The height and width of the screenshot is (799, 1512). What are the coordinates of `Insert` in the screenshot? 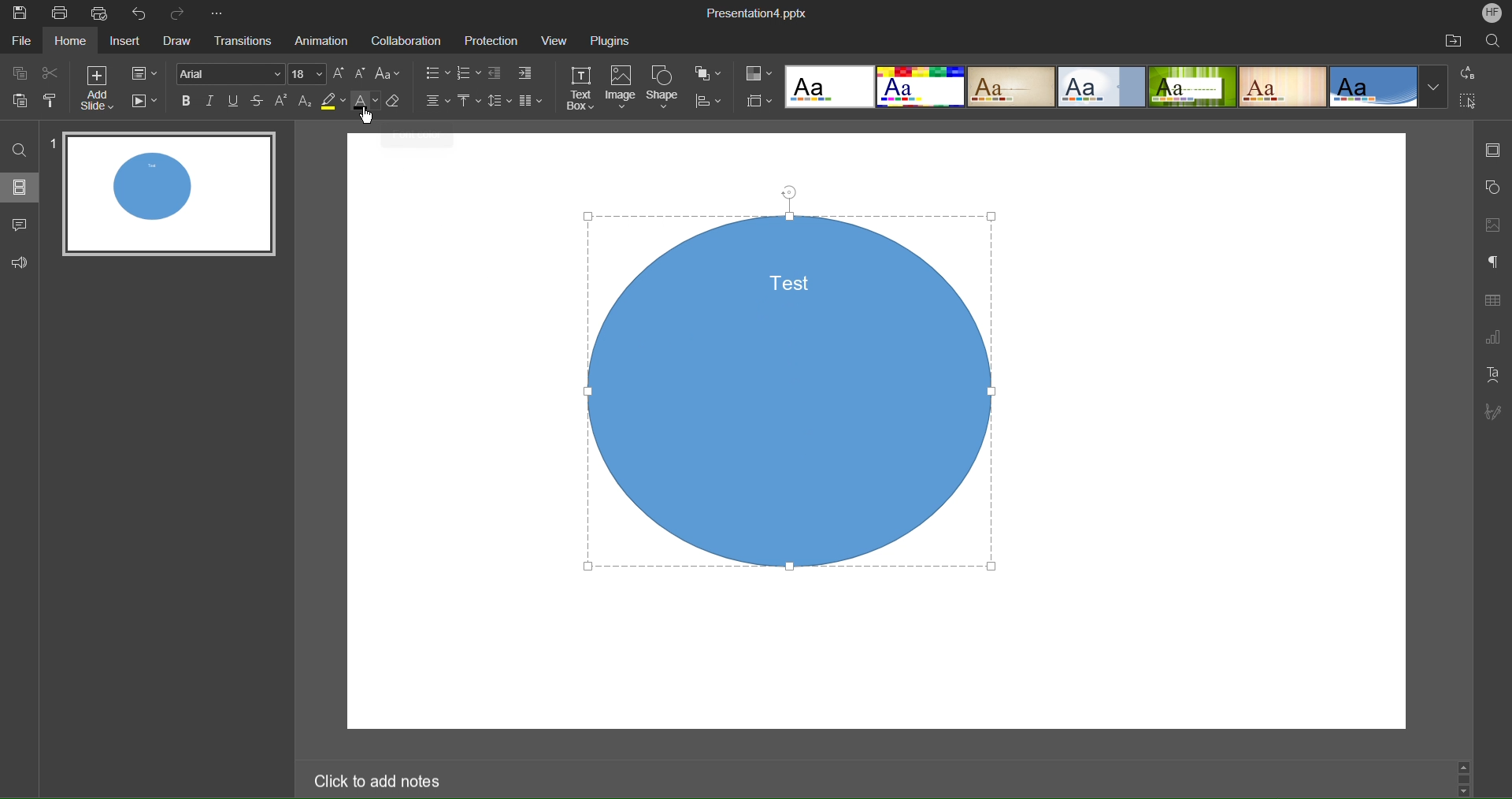 It's located at (128, 41).